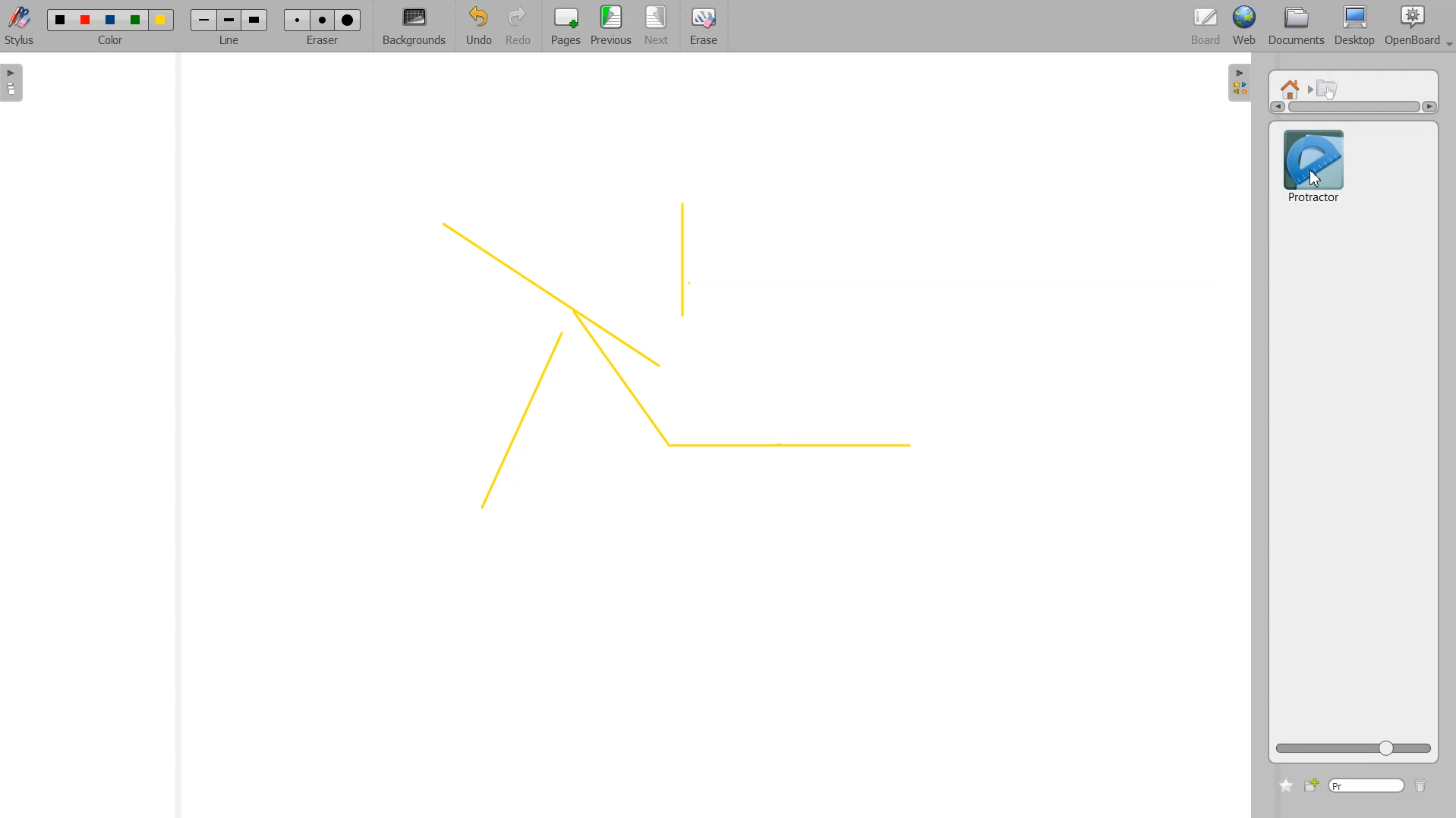 This screenshot has width=1456, height=818. Describe the element at coordinates (1314, 179) in the screenshot. I see `Cursor` at that location.